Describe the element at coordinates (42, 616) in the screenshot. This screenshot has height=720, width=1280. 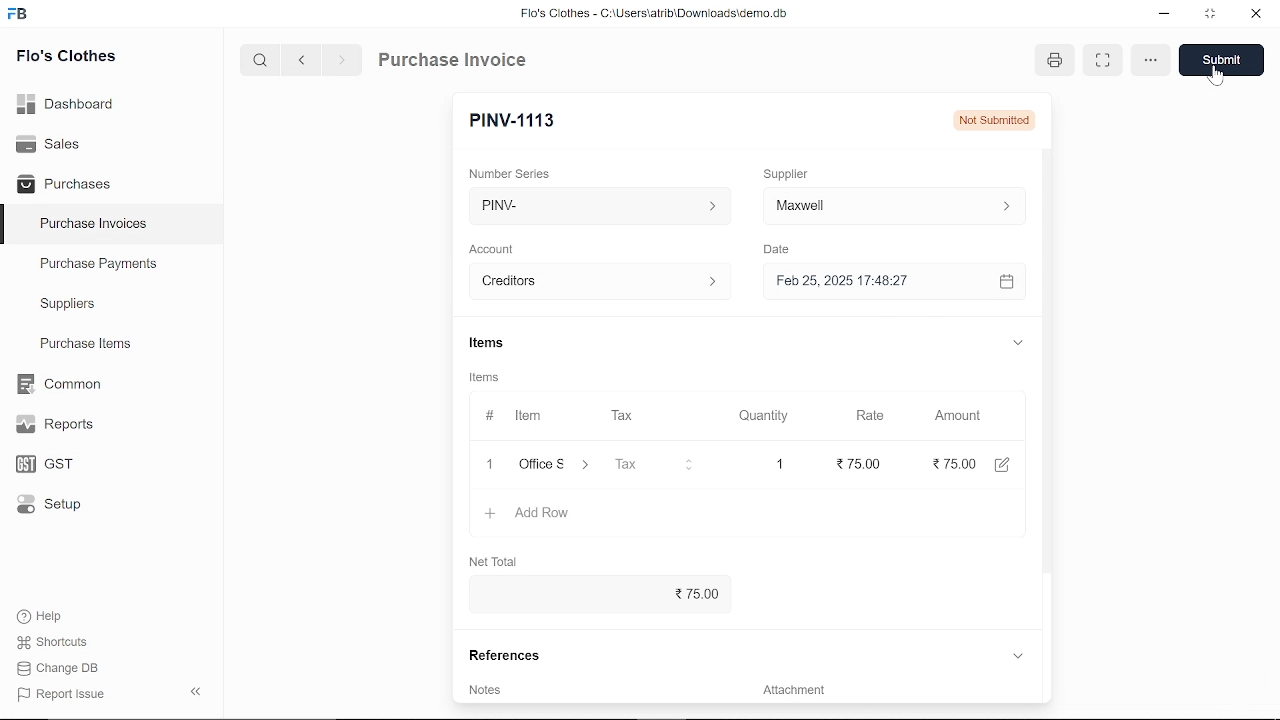
I see `Help` at that location.